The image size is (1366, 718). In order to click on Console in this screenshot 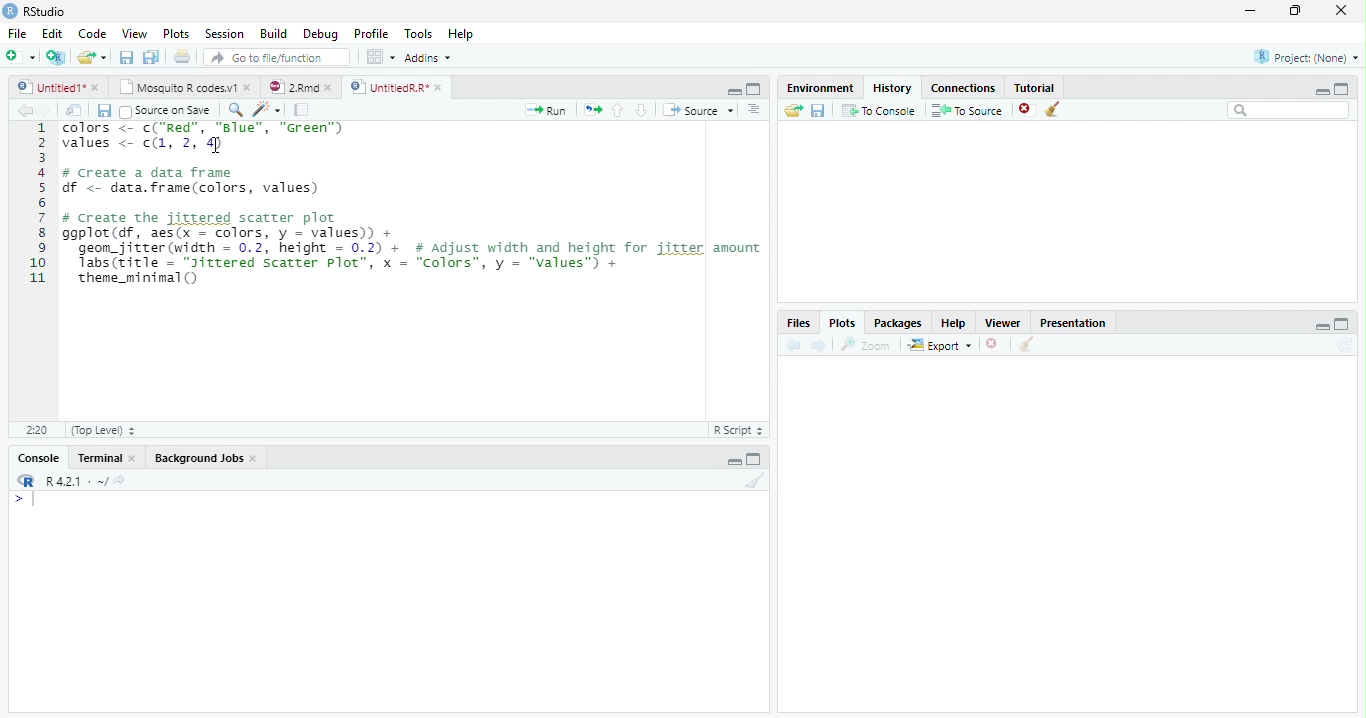, I will do `click(39, 457)`.